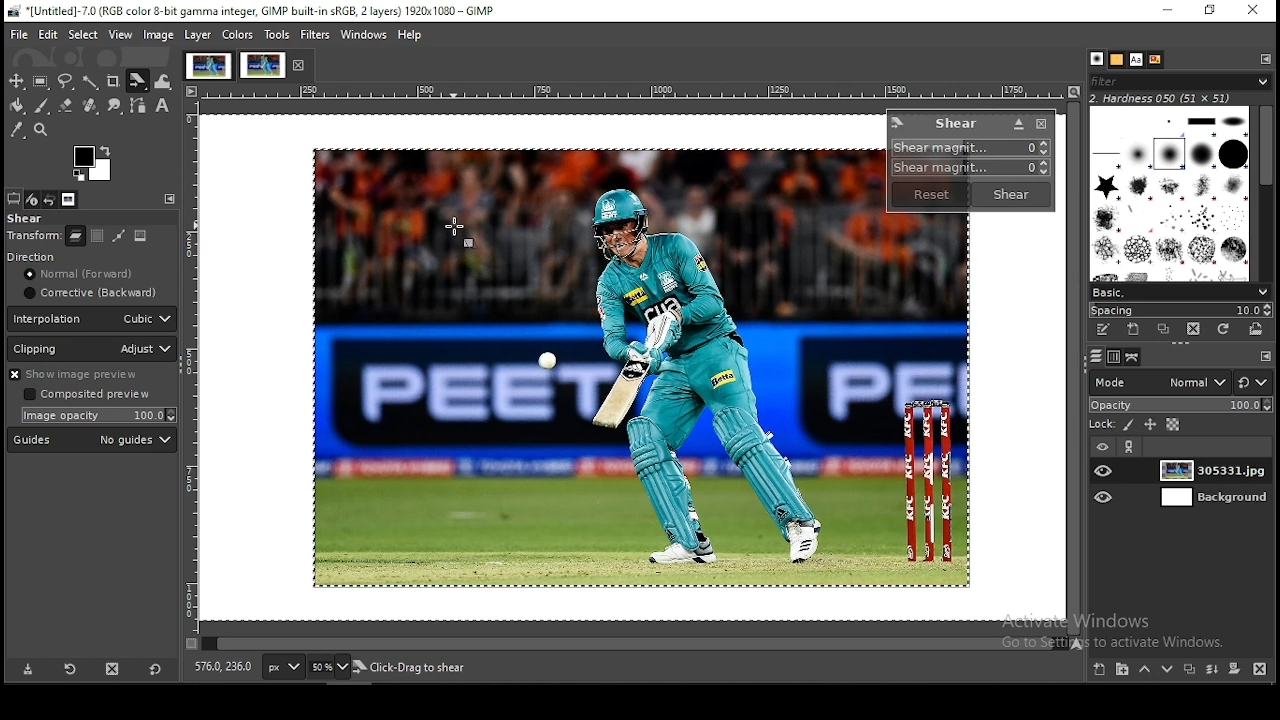 The image size is (1280, 720). I want to click on layer 2, so click(1207, 499).